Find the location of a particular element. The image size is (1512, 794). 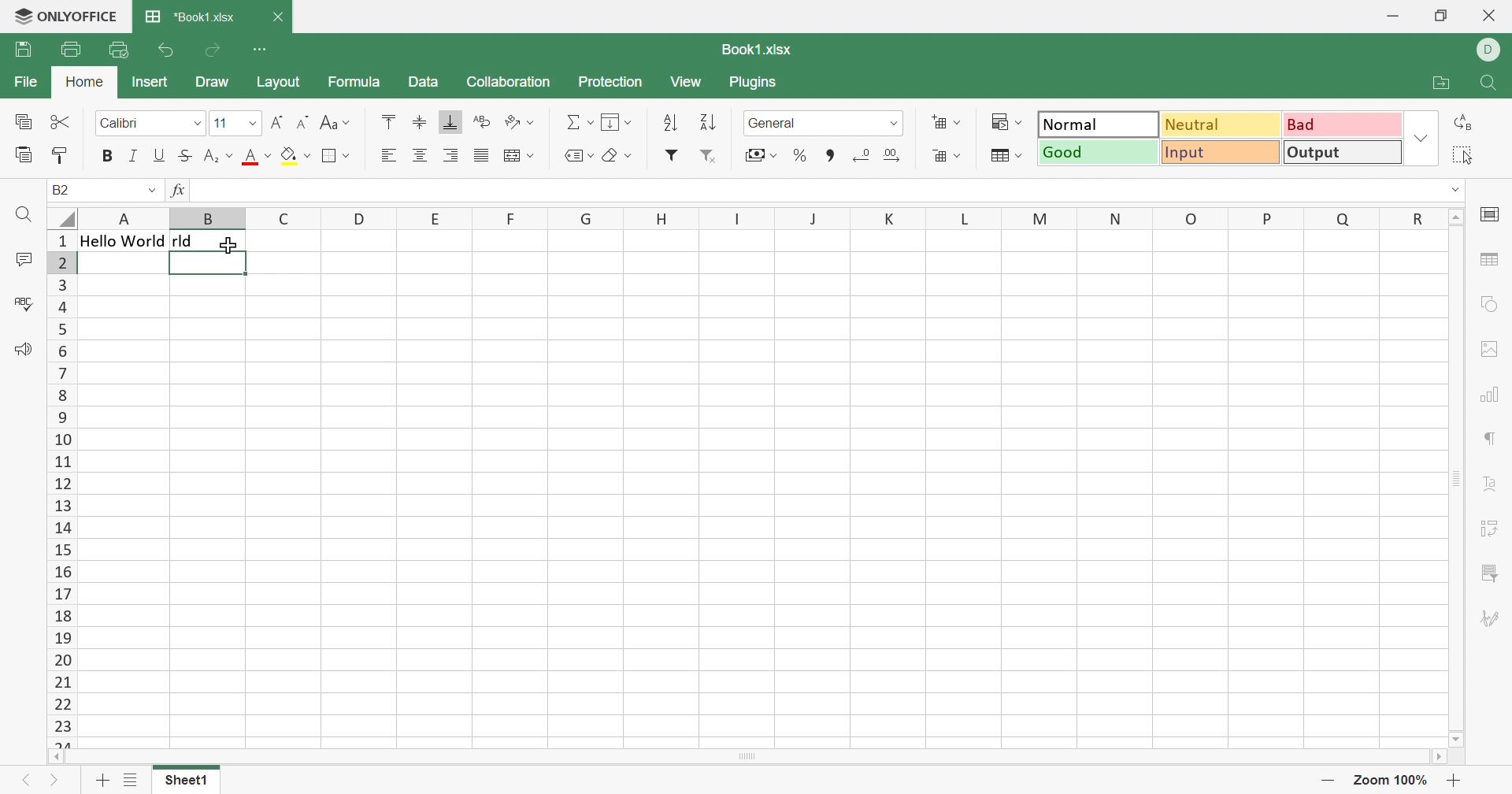

rld is located at coordinates (207, 240).